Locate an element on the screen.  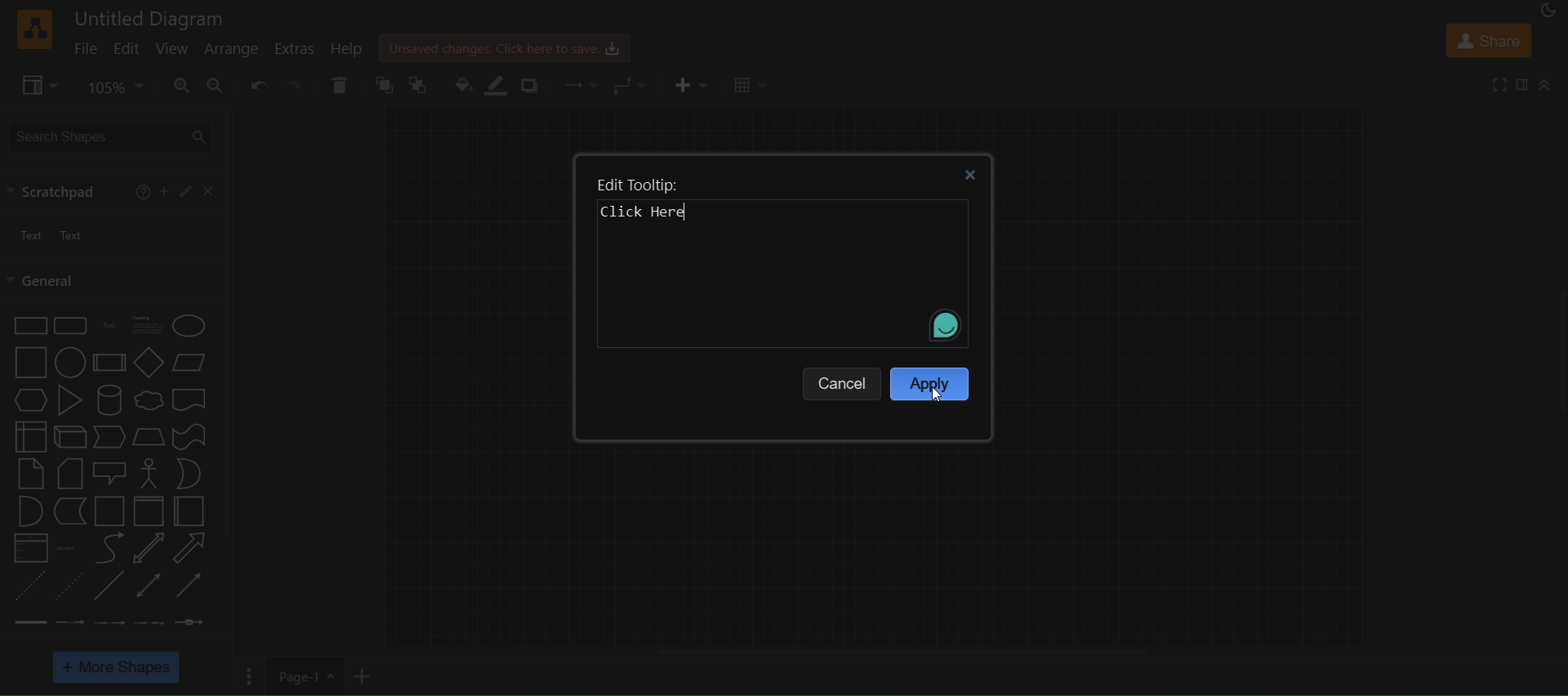
add is located at coordinates (164, 190).